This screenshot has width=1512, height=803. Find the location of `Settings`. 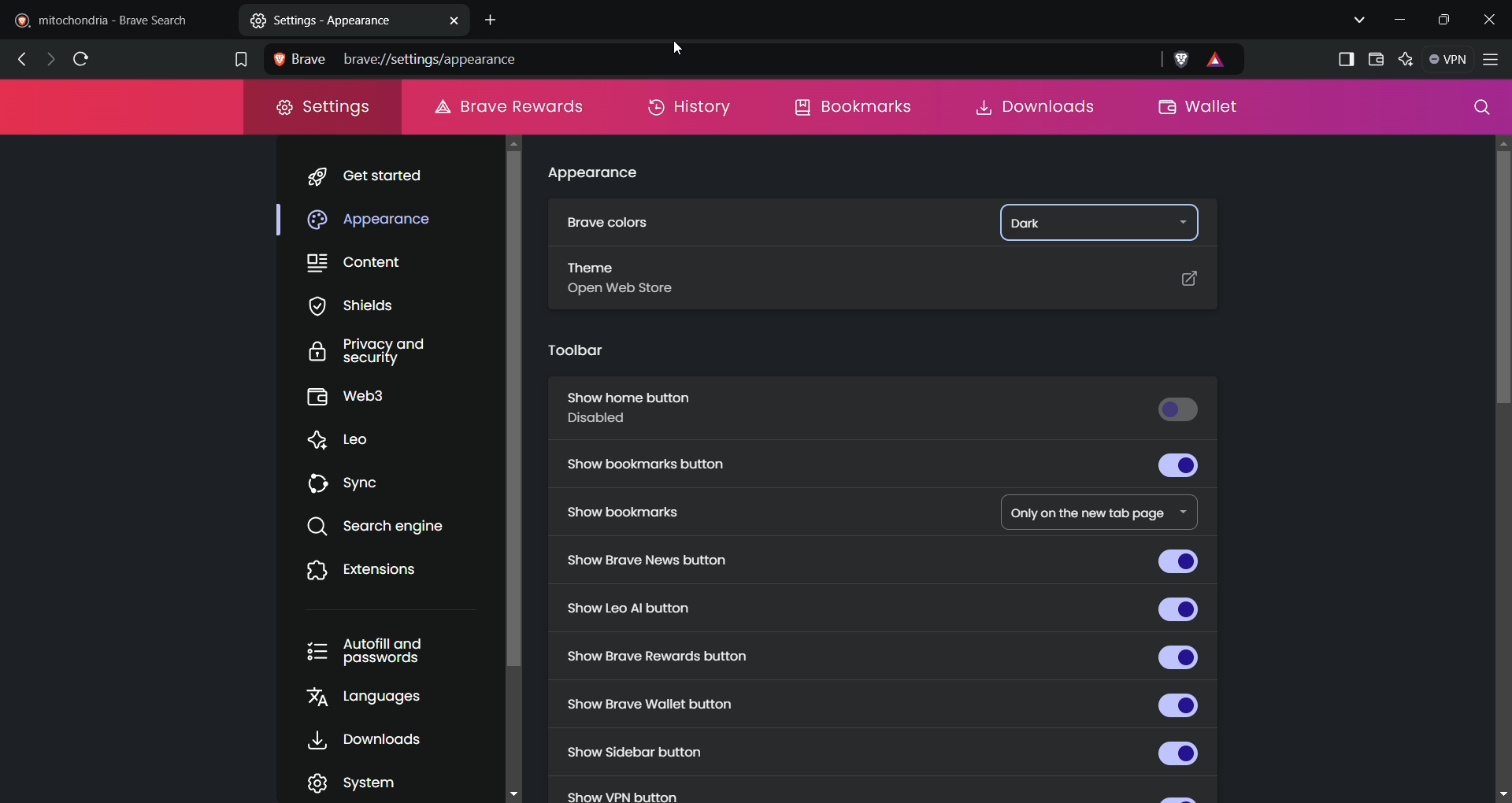

Settings is located at coordinates (301, 19).